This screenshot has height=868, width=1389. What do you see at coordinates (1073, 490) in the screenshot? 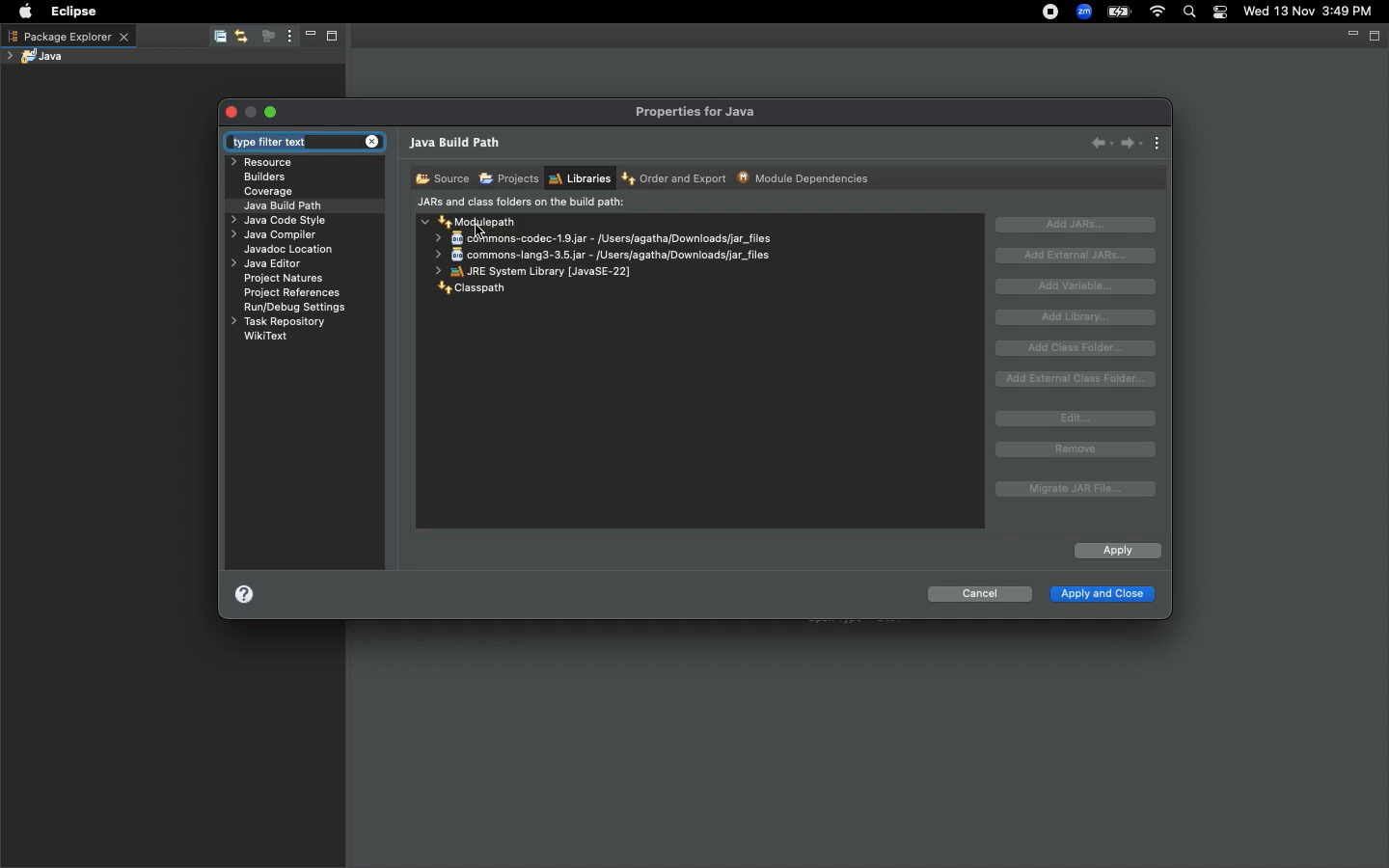
I see `Migrate JAR file` at bounding box center [1073, 490].